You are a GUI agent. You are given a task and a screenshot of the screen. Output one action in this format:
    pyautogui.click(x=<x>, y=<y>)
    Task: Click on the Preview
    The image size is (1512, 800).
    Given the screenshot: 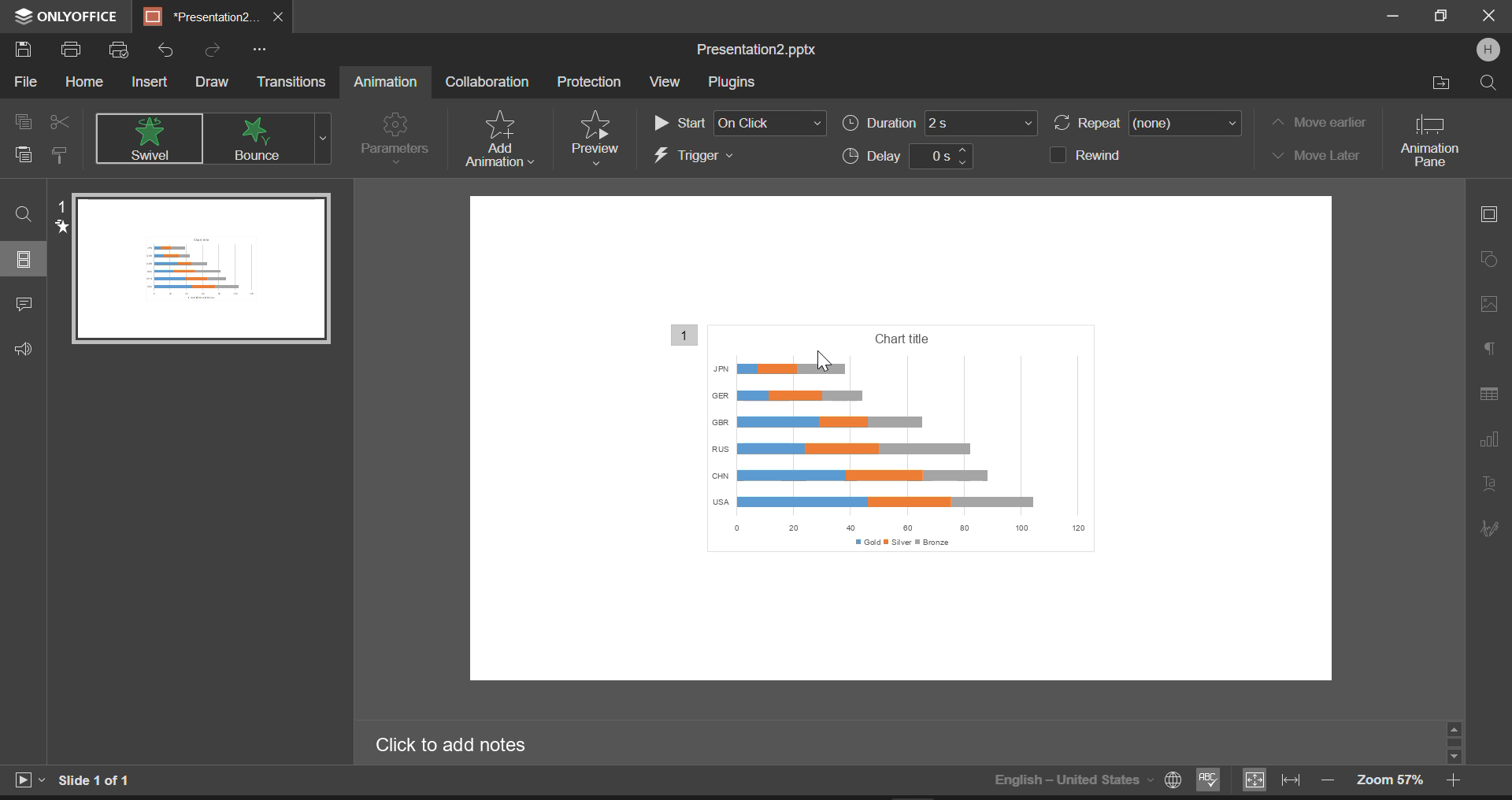 What is the action you would take?
    pyautogui.click(x=595, y=136)
    